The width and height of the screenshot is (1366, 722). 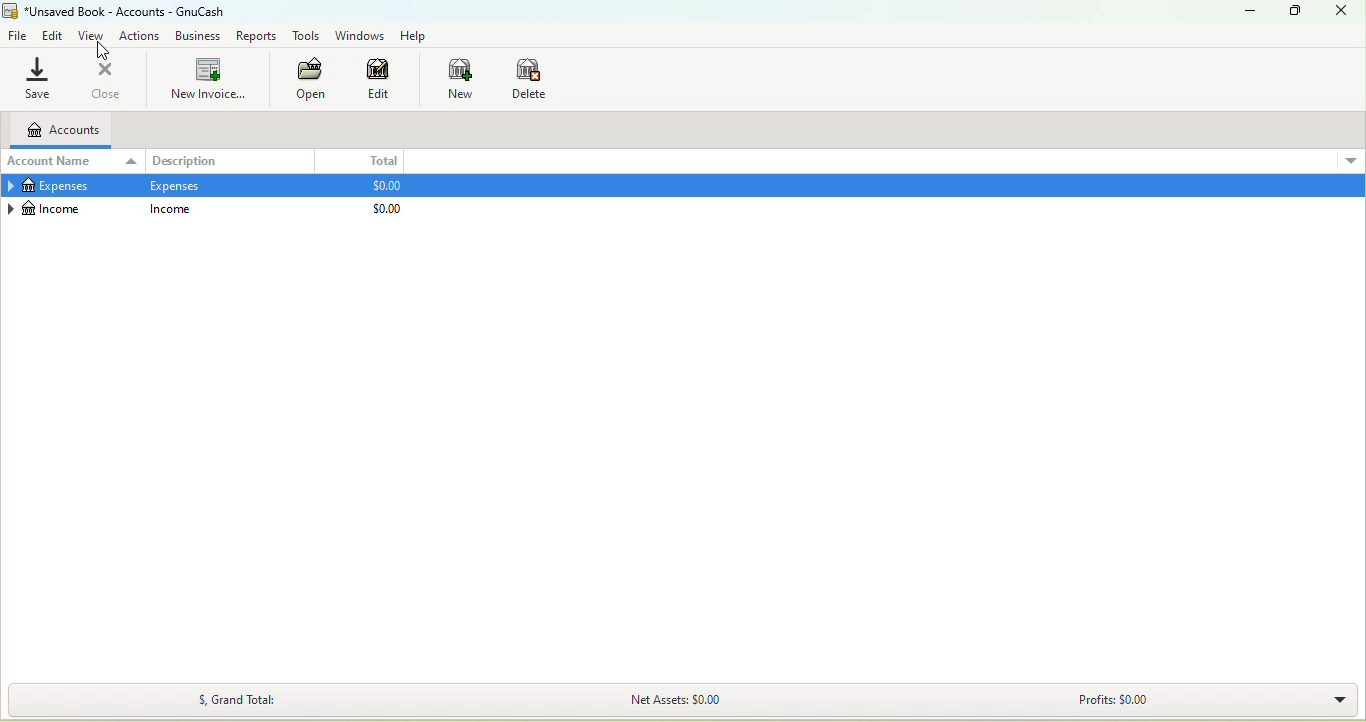 What do you see at coordinates (53, 36) in the screenshot?
I see `Edit` at bounding box center [53, 36].